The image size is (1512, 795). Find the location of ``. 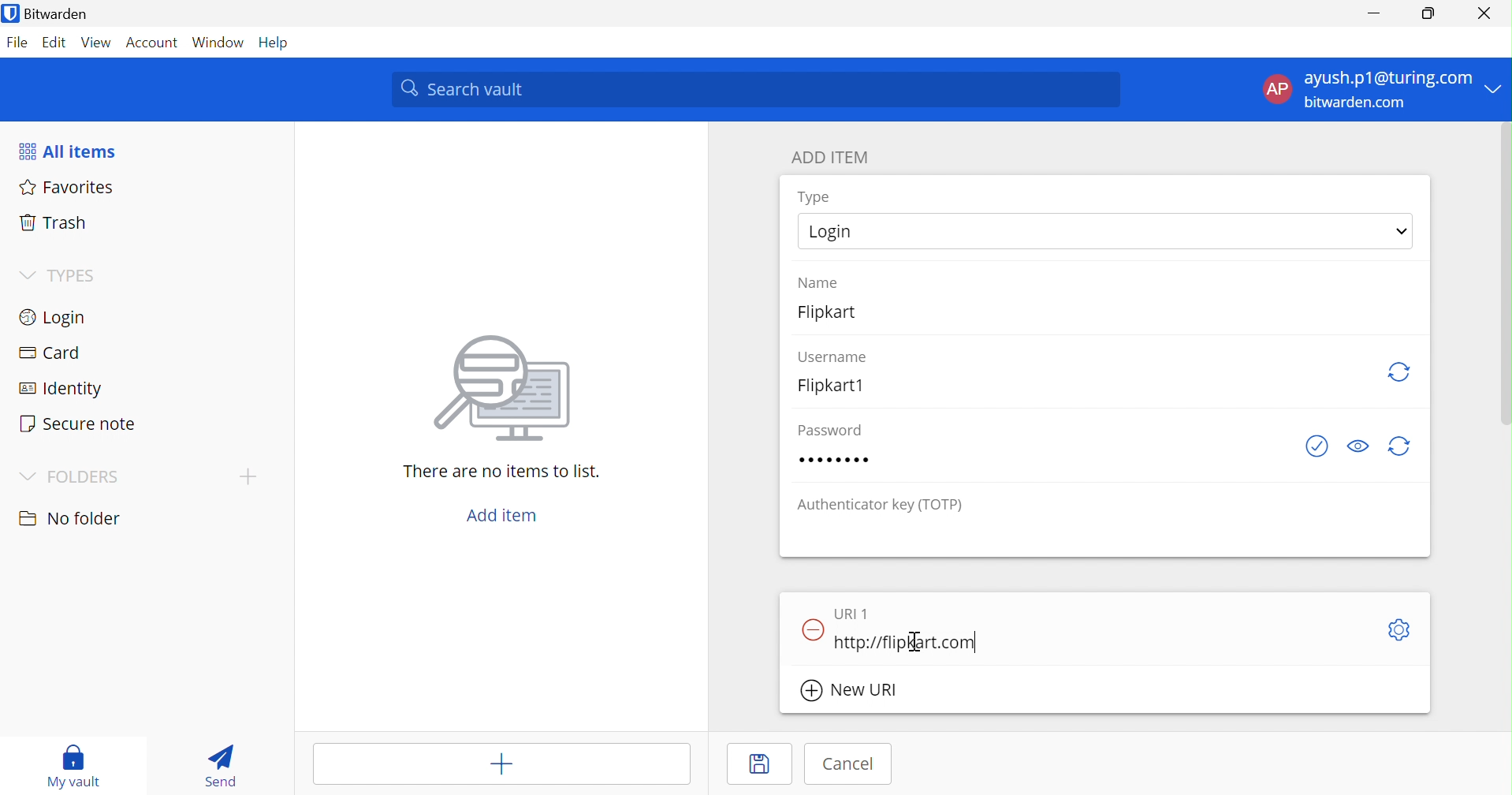

 is located at coordinates (810, 632).